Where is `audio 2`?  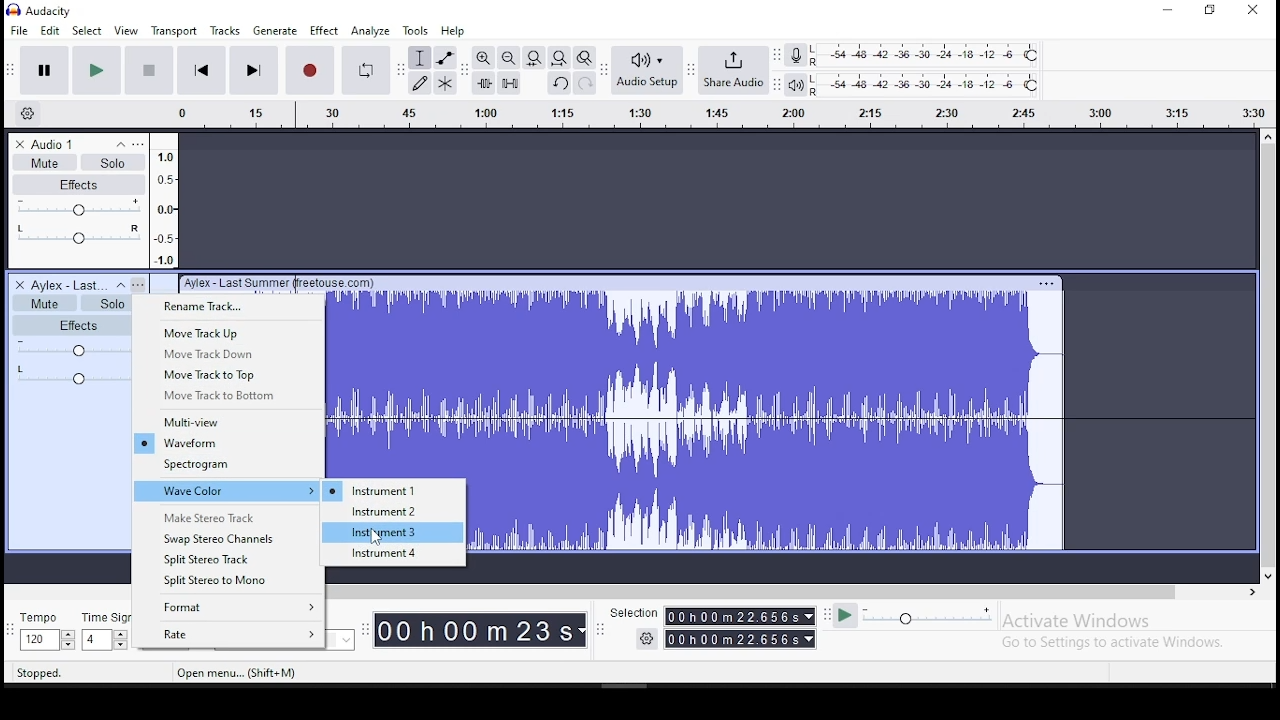 audio 2 is located at coordinates (68, 285).